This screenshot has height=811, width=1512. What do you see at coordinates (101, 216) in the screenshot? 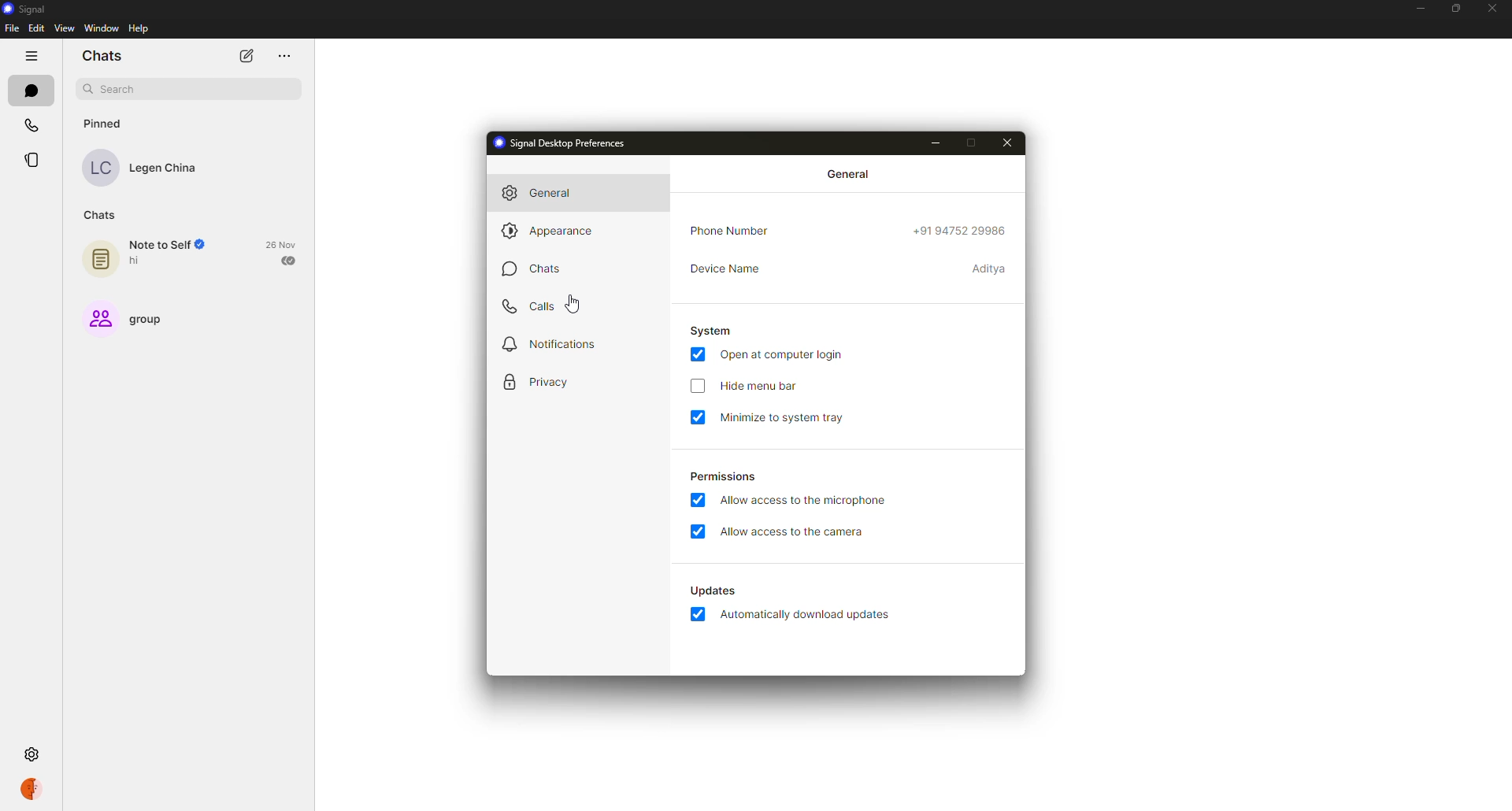
I see `chats` at bounding box center [101, 216].